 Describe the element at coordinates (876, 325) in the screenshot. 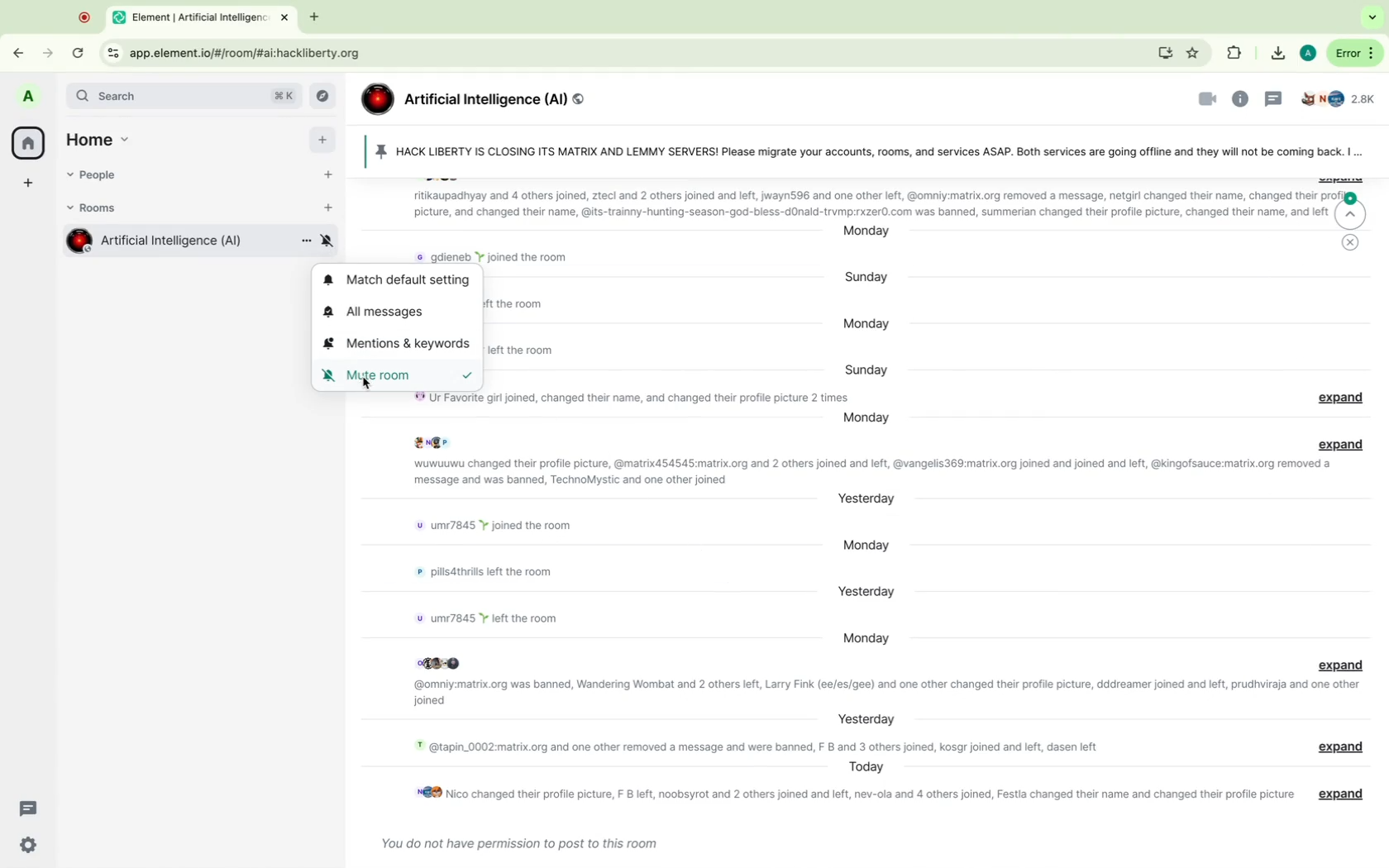

I see `day` at that location.